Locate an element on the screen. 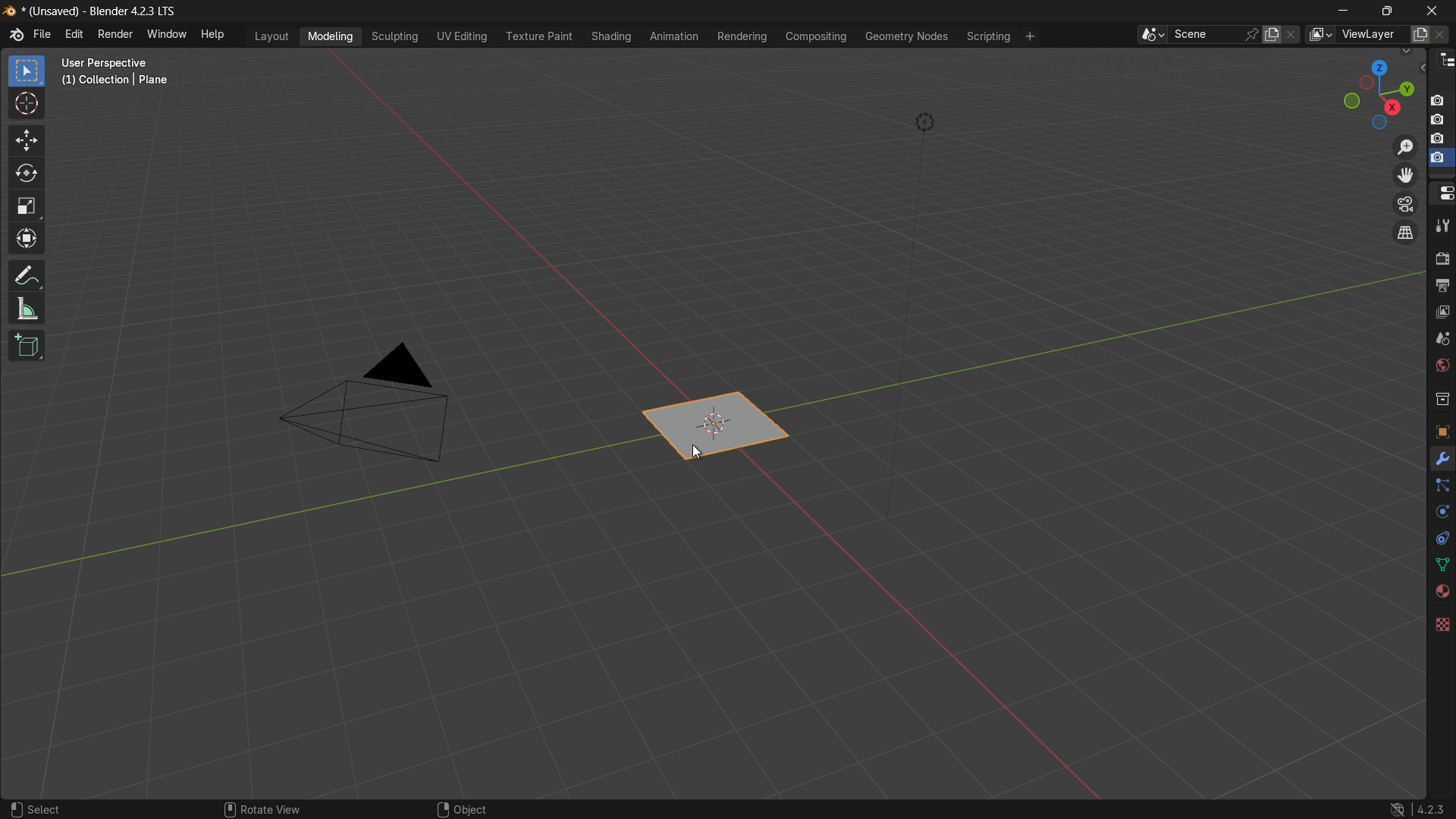  add cube is located at coordinates (28, 348).